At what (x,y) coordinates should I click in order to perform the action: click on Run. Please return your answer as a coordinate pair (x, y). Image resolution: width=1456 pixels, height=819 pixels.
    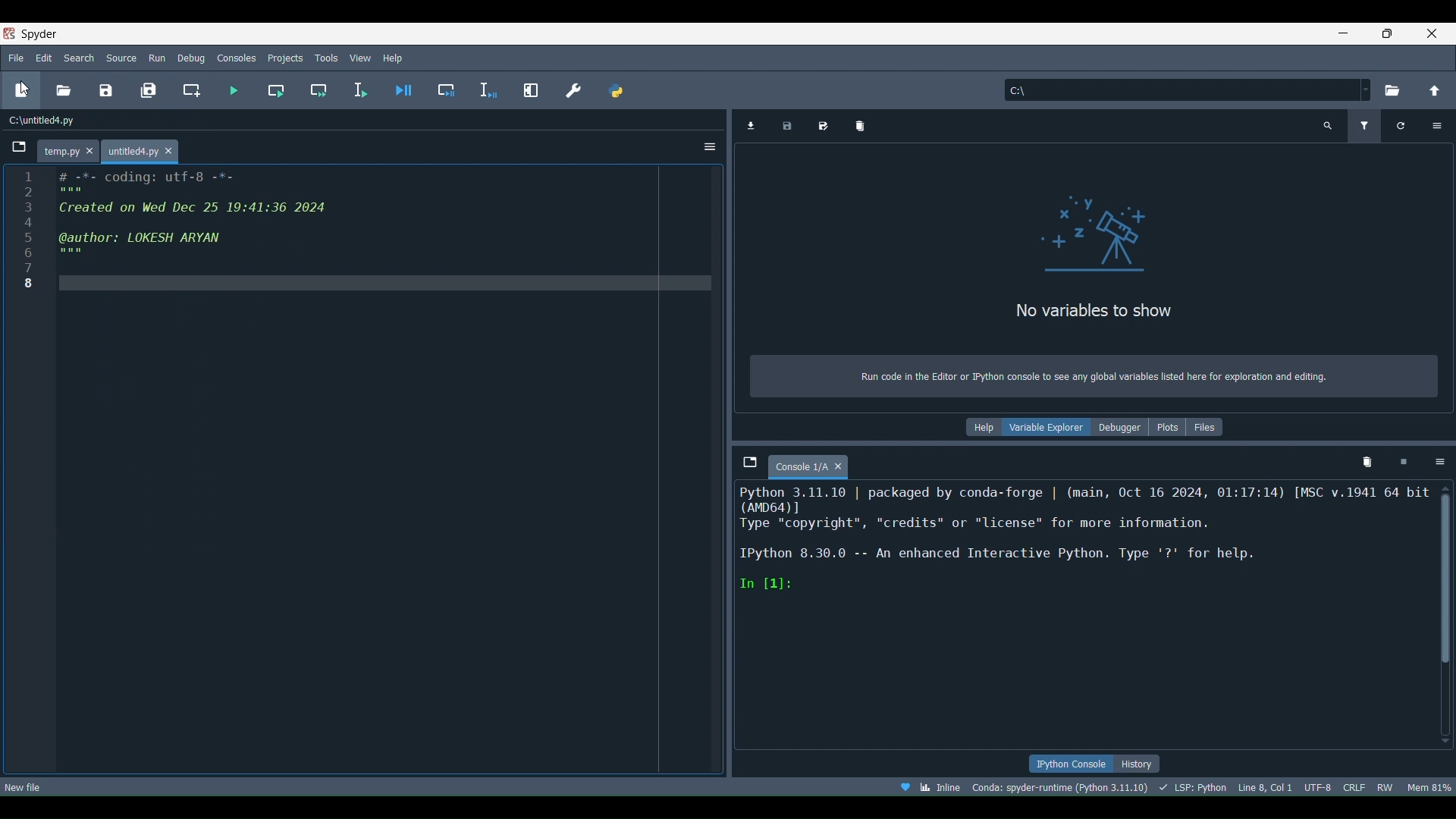
    Looking at the image, I should click on (154, 56).